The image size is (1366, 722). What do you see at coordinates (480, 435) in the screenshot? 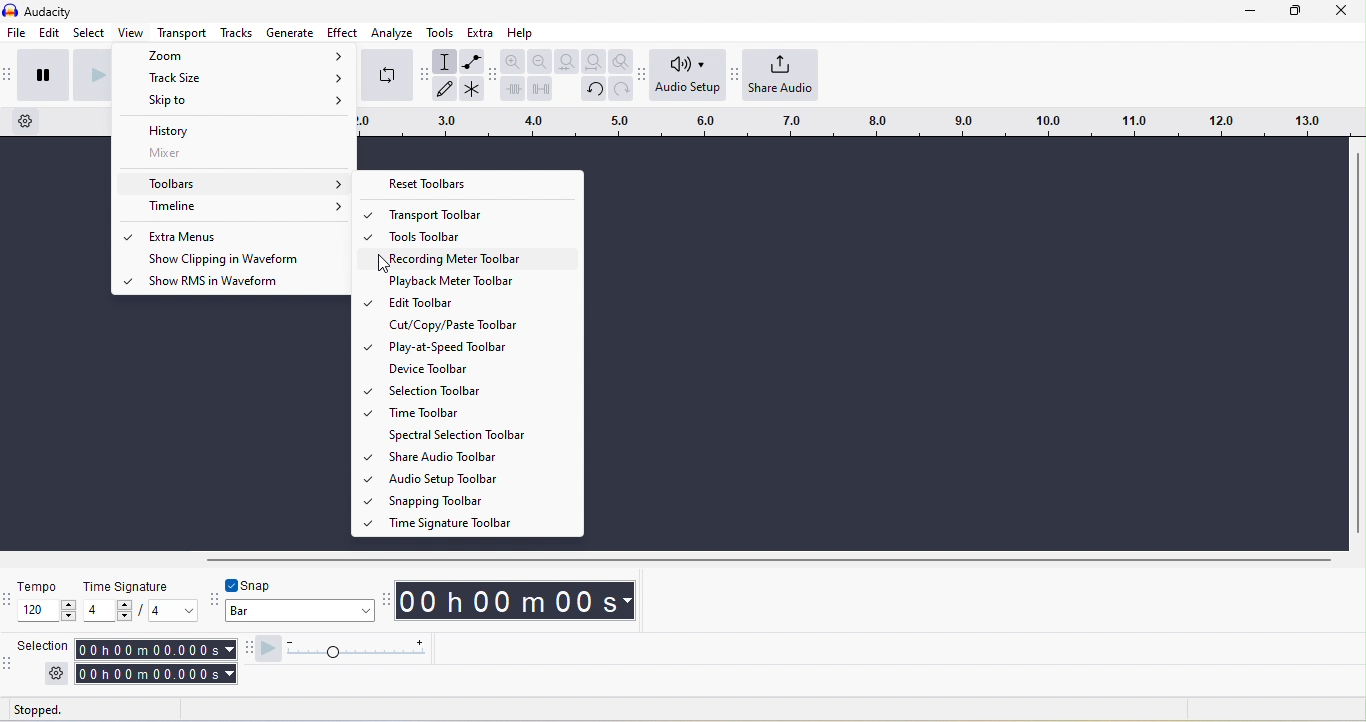
I see `Spectral selection toolbar` at bounding box center [480, 435].